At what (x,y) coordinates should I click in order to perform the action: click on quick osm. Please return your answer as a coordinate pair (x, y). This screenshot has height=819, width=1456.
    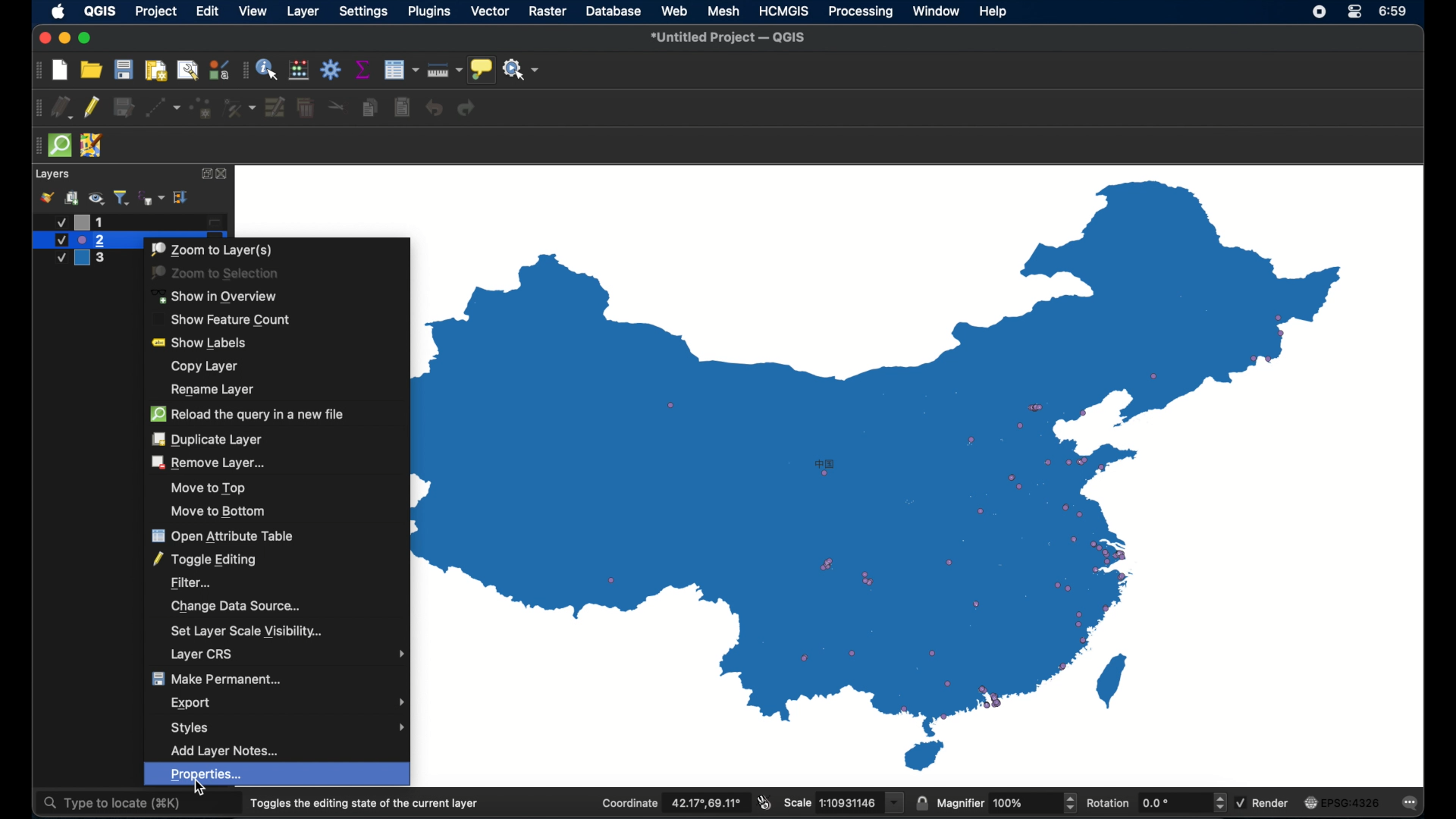
    Looking at the image, I should click on (61, 146).